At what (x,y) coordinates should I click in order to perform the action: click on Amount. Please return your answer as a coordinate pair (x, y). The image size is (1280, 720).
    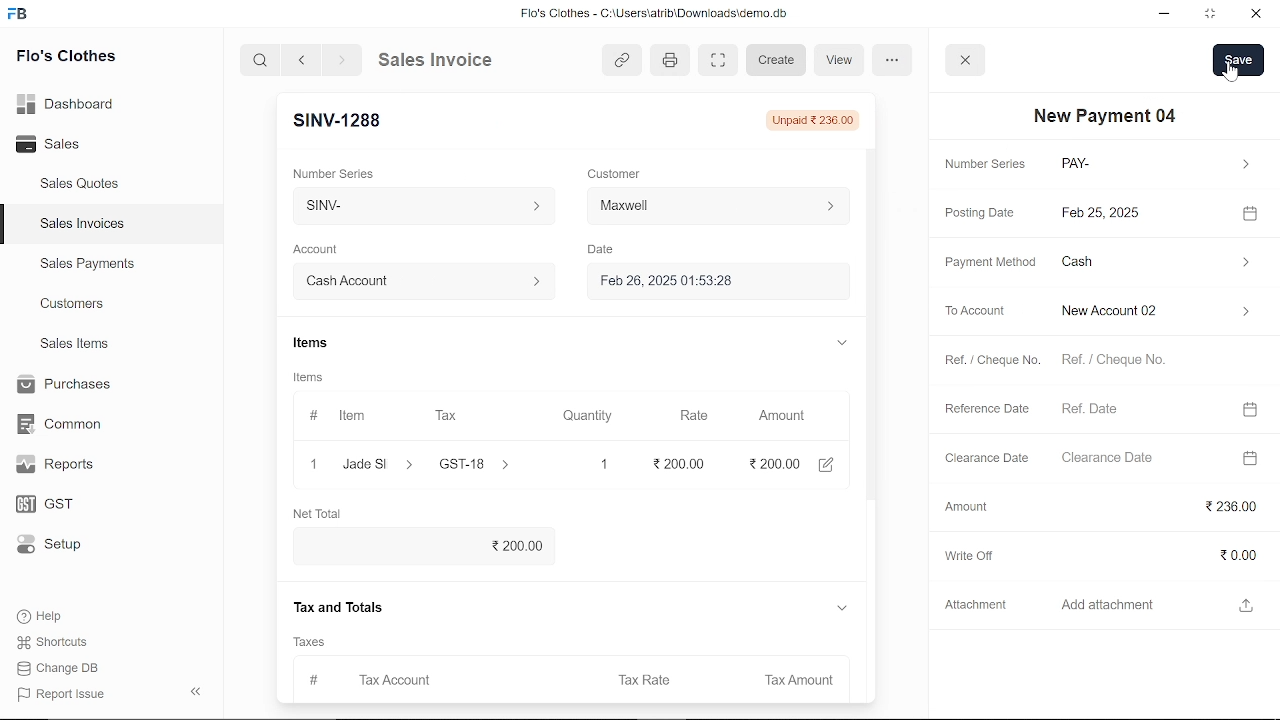
    Looking at the image, I should click on (781, 416).